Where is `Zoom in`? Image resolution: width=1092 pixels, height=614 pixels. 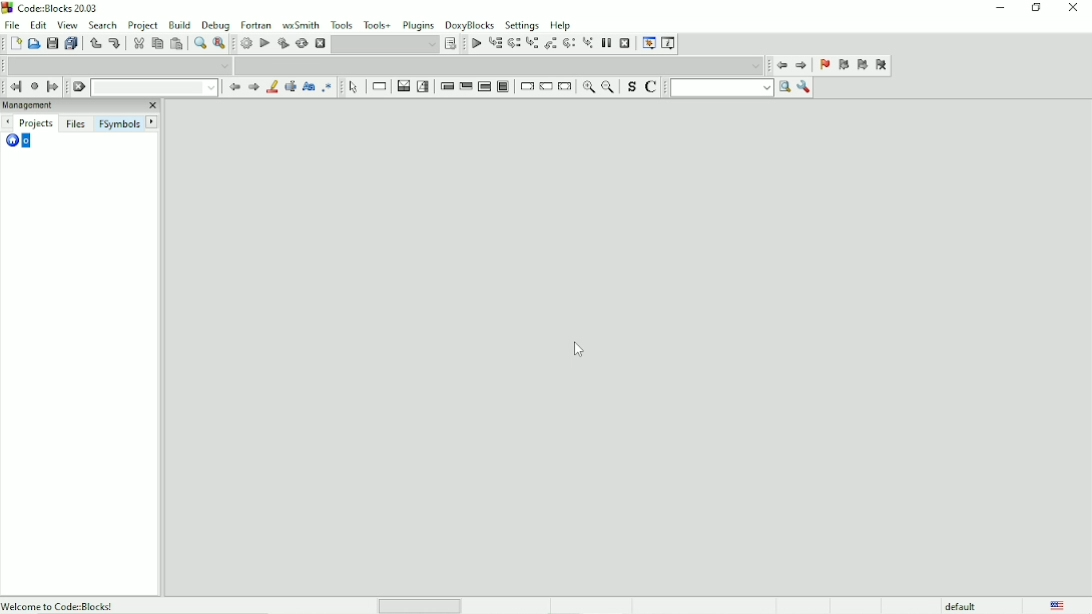
Zoom in is located at coordinates (588, 88).